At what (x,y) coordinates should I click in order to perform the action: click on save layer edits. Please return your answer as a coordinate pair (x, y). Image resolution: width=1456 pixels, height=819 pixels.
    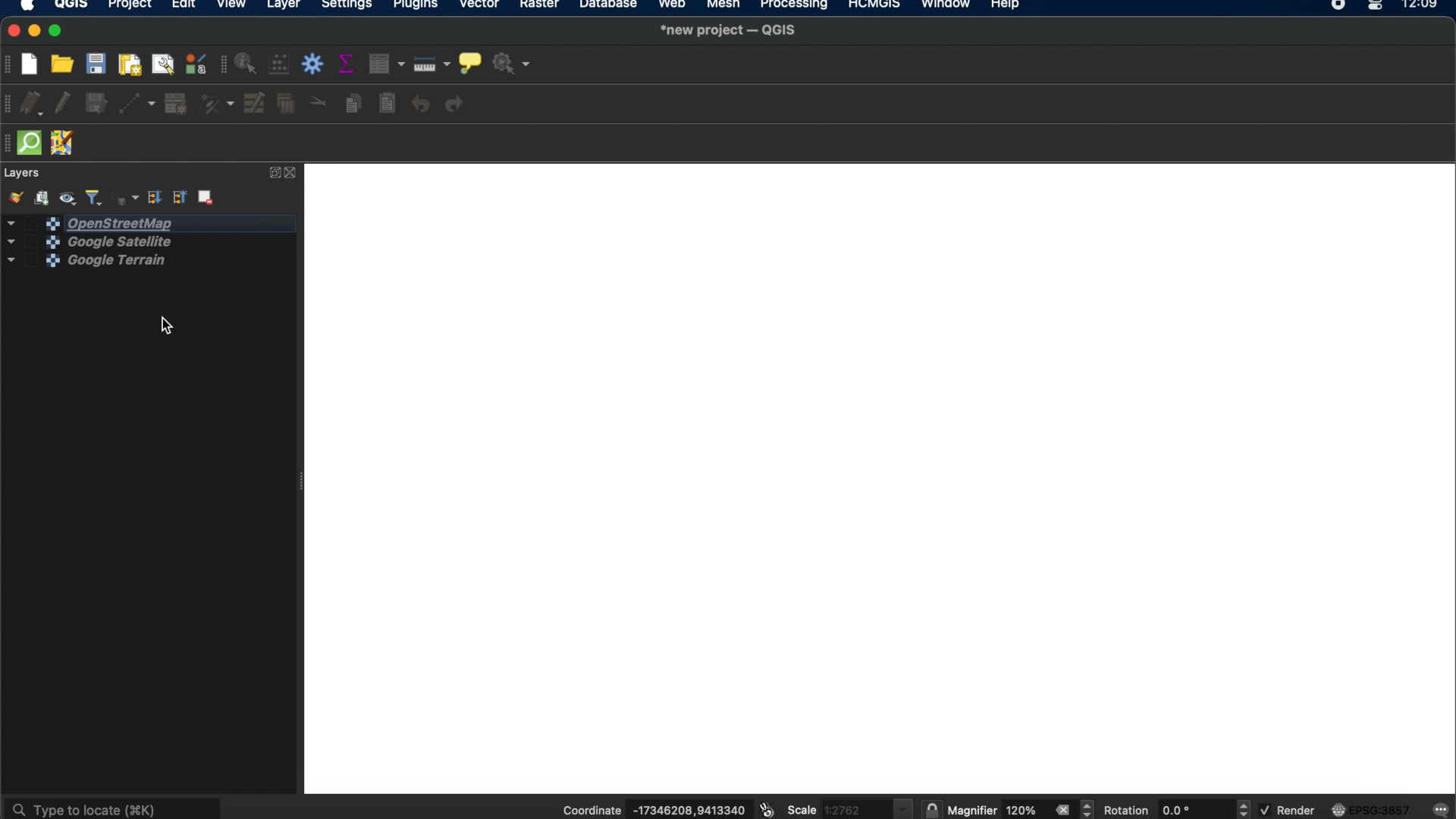
    Looking at the image, I should click on (97, 105).